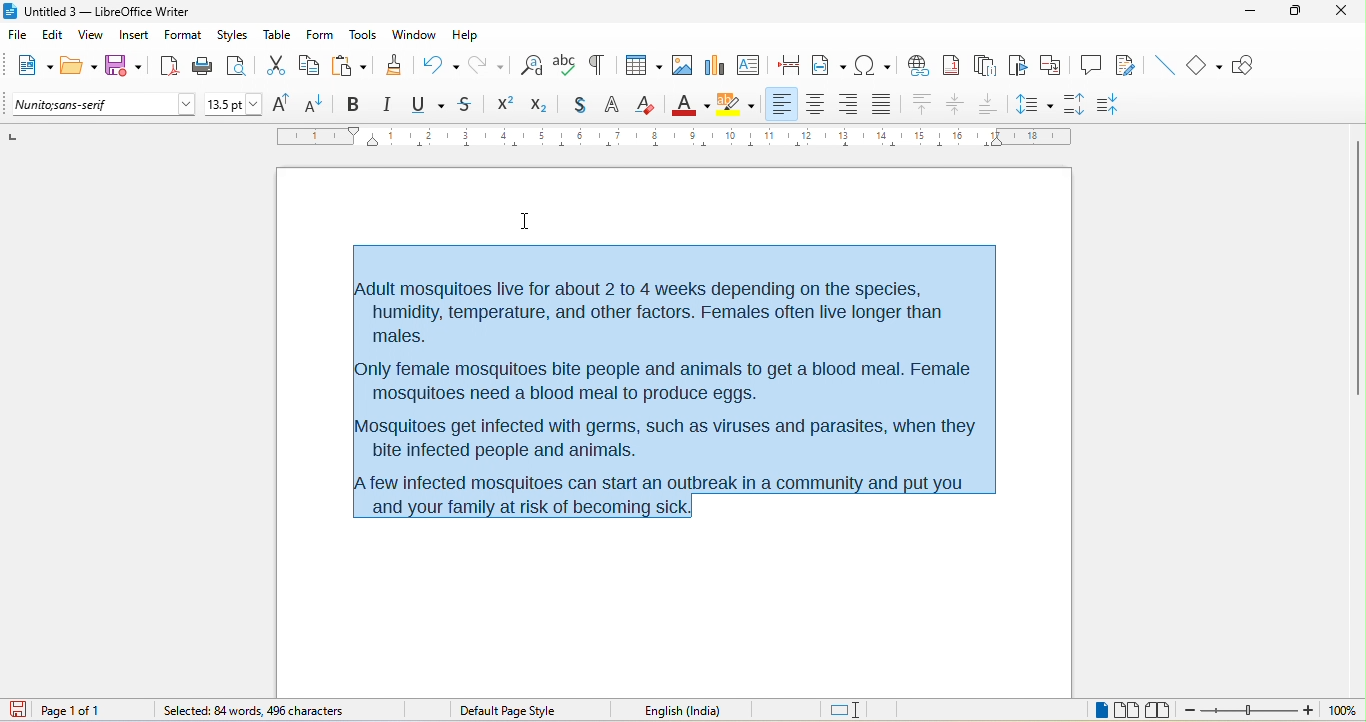  I want to click on subscript, so click(544, 103).